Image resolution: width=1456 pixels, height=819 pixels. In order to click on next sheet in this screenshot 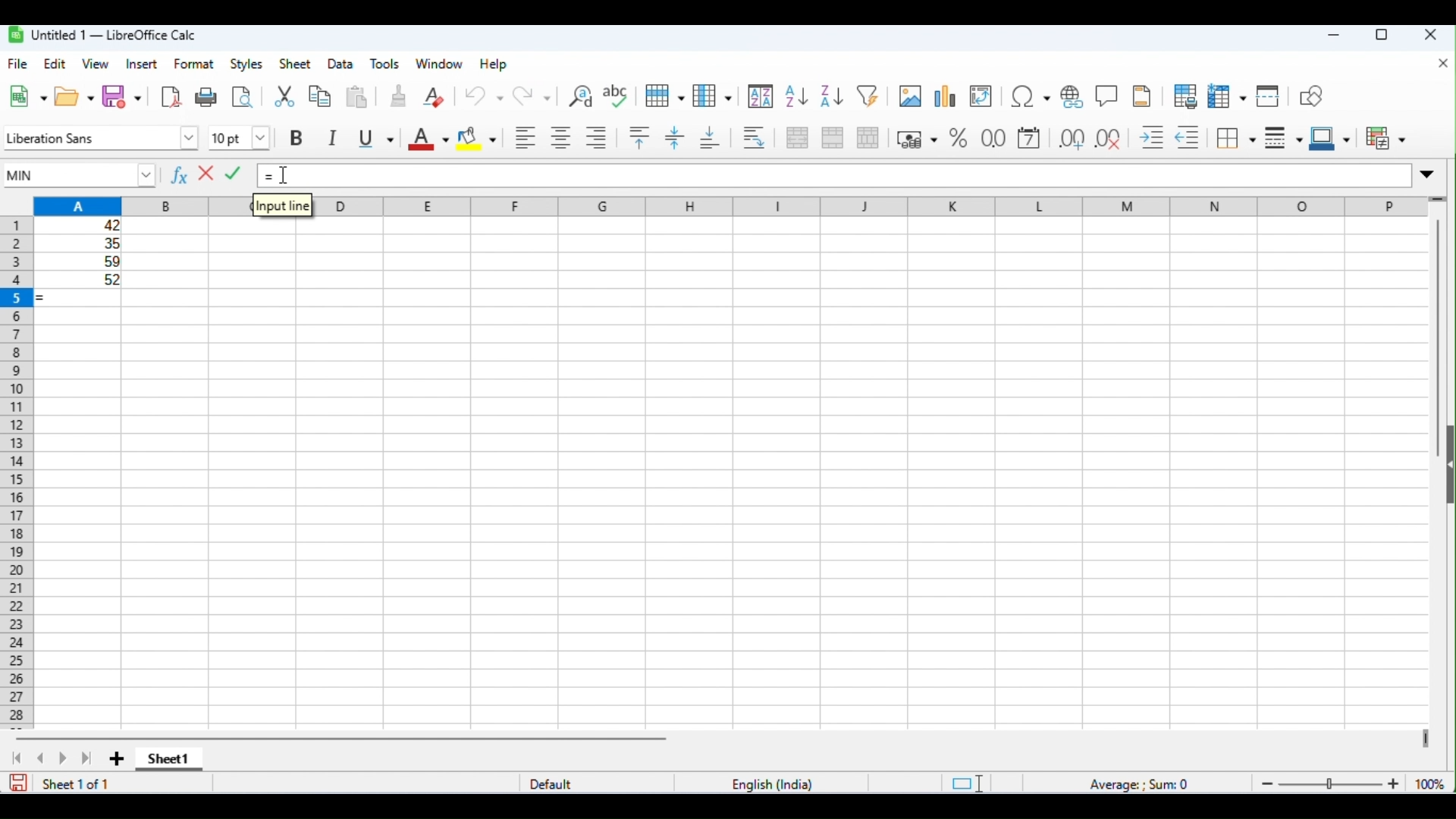, I will do `click(64, 758)`.